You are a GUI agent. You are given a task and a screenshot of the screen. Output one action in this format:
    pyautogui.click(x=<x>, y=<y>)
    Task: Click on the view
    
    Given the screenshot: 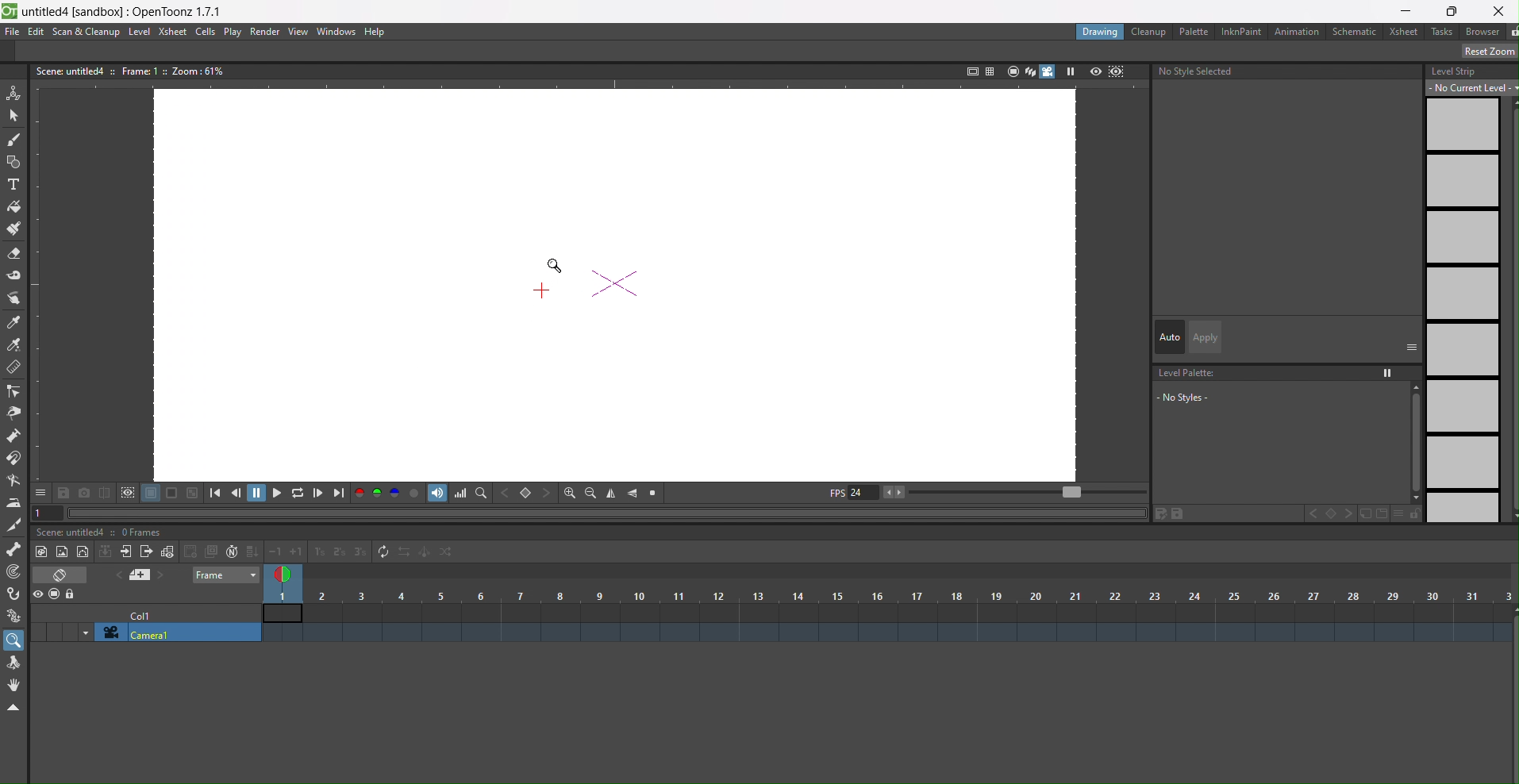 What is the action you would take?
    pyautogui.click(x=298, y=32)
    